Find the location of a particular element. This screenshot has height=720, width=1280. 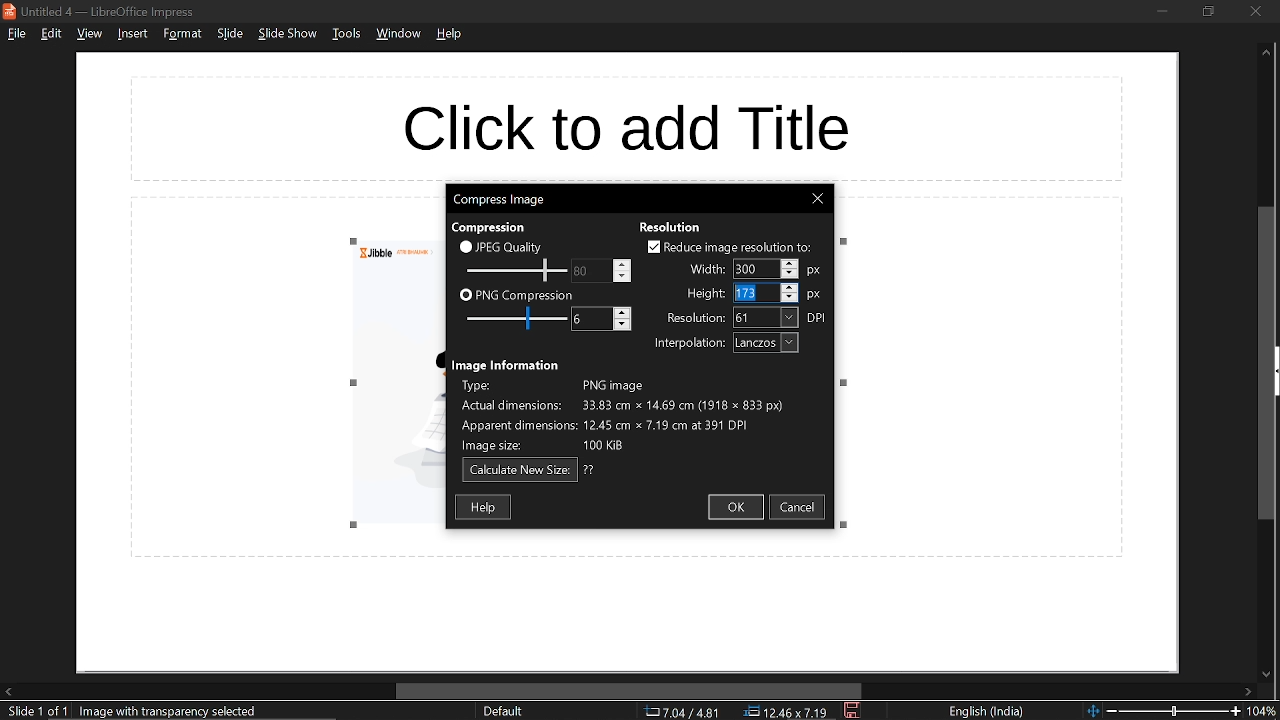

ok is located at coordinates (738, 508).